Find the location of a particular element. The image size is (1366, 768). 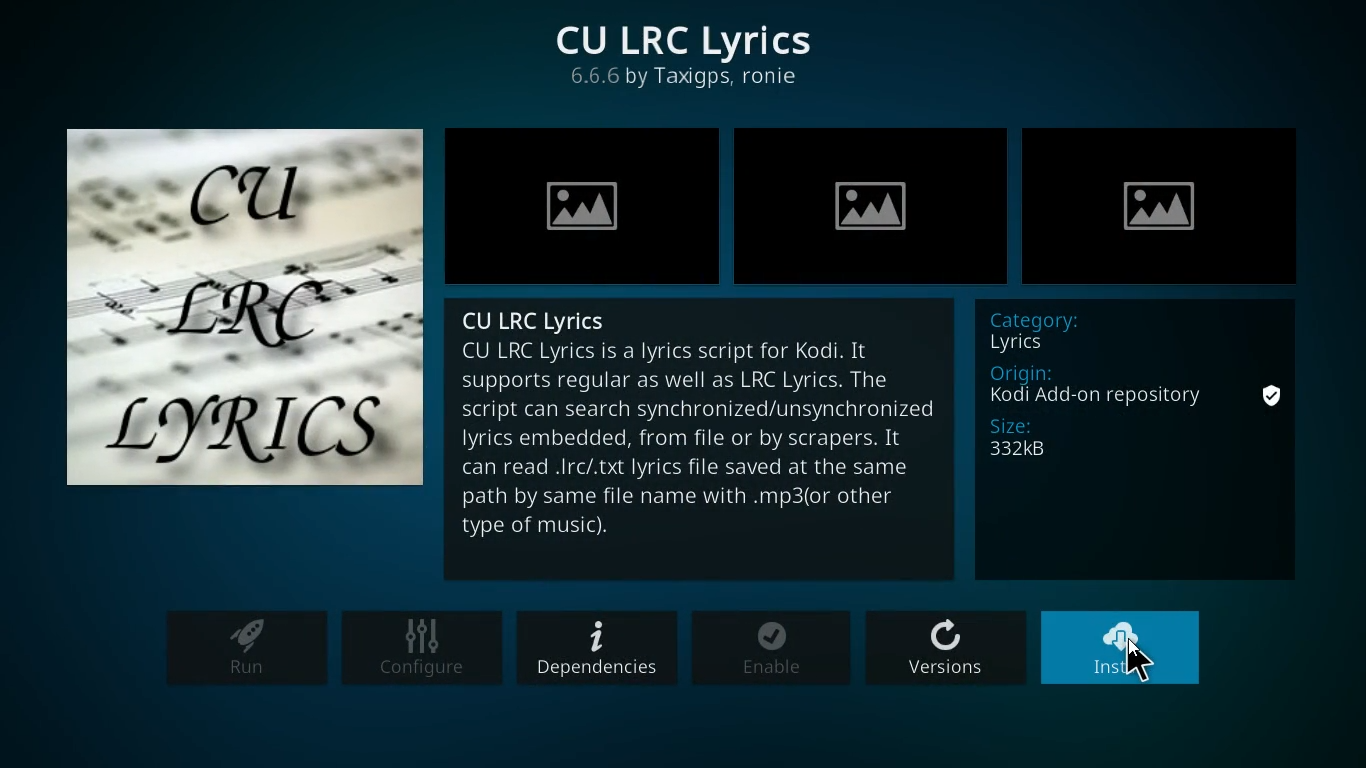

lyrics logo is located at coordinates (242, 305).